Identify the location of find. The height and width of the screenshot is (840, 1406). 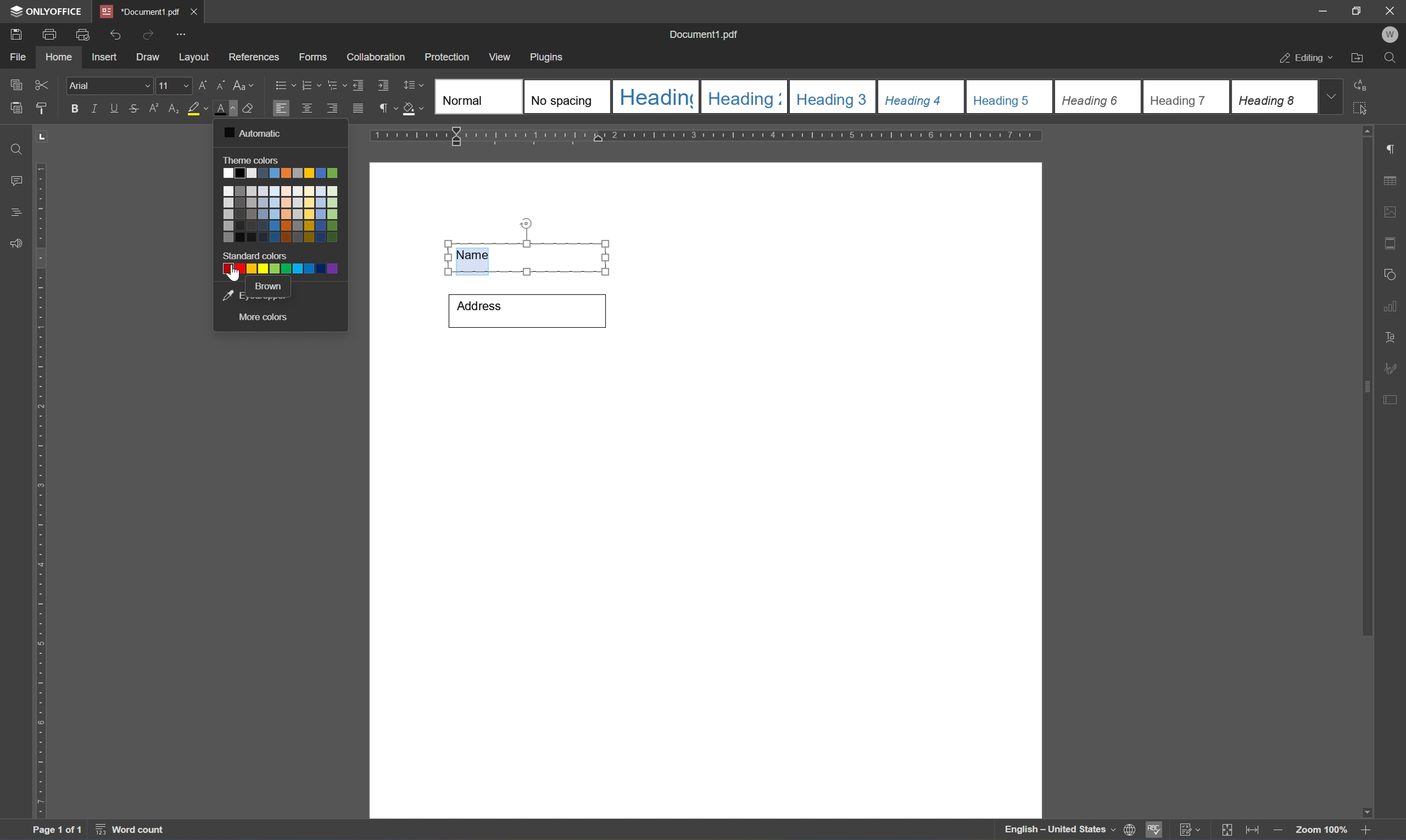
(12, 147).